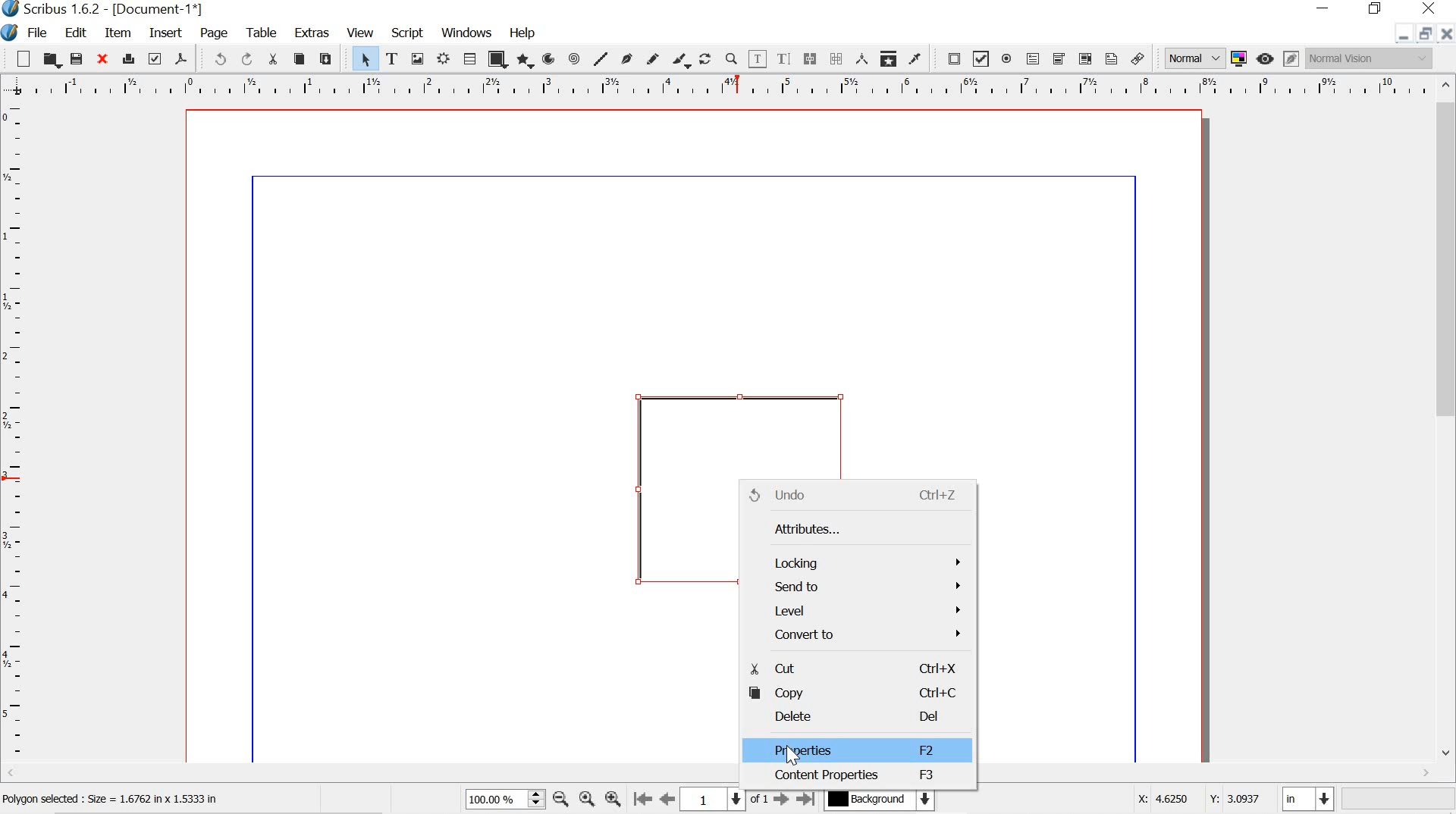  What do you see at coordinates (1447, 34) in the screenshot?
I see `CLOSE` at bounding box center [1447, 34].